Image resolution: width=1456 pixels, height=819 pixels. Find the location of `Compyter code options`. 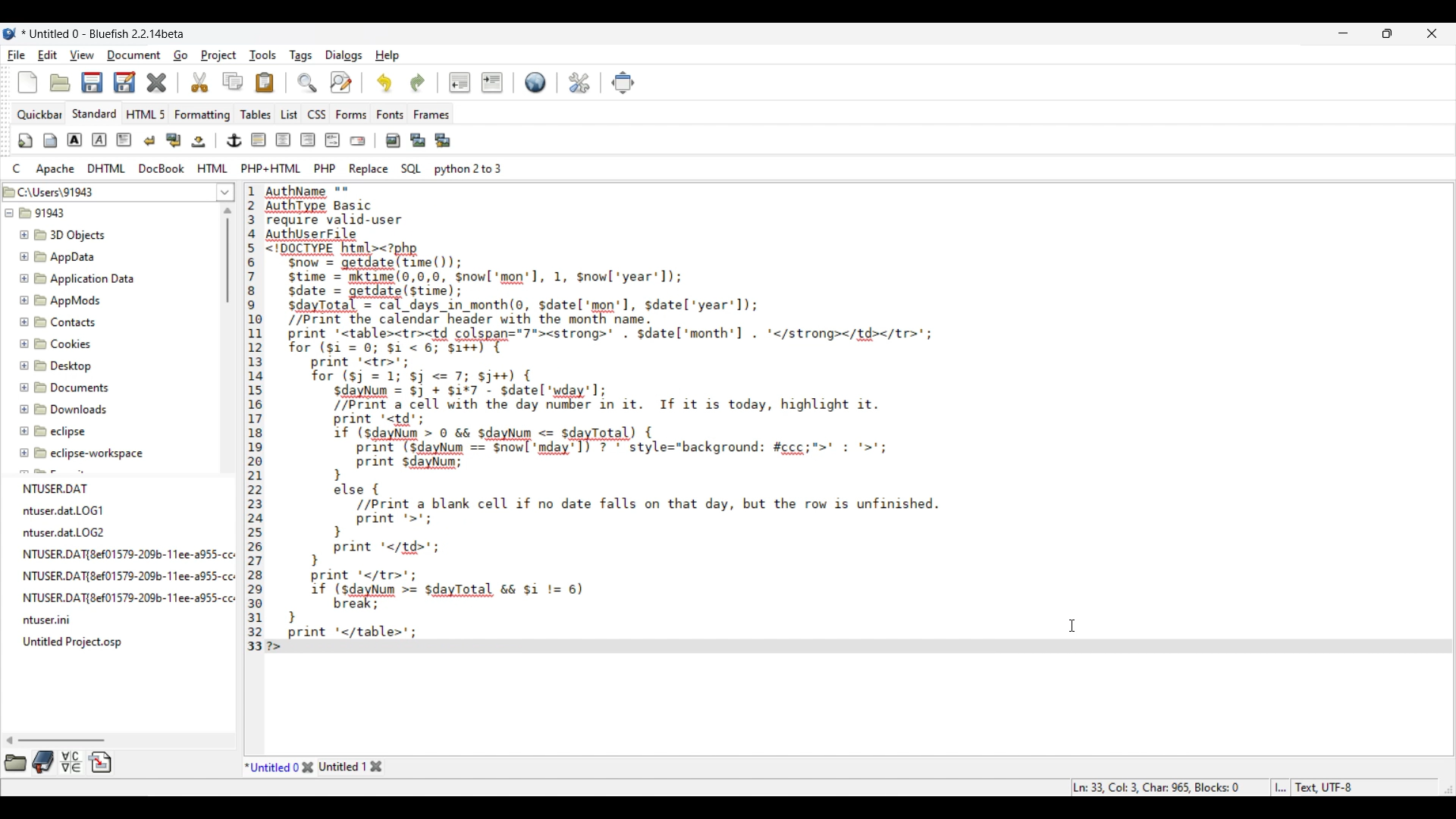

Compyter code options is located at coordinates (257, 168).